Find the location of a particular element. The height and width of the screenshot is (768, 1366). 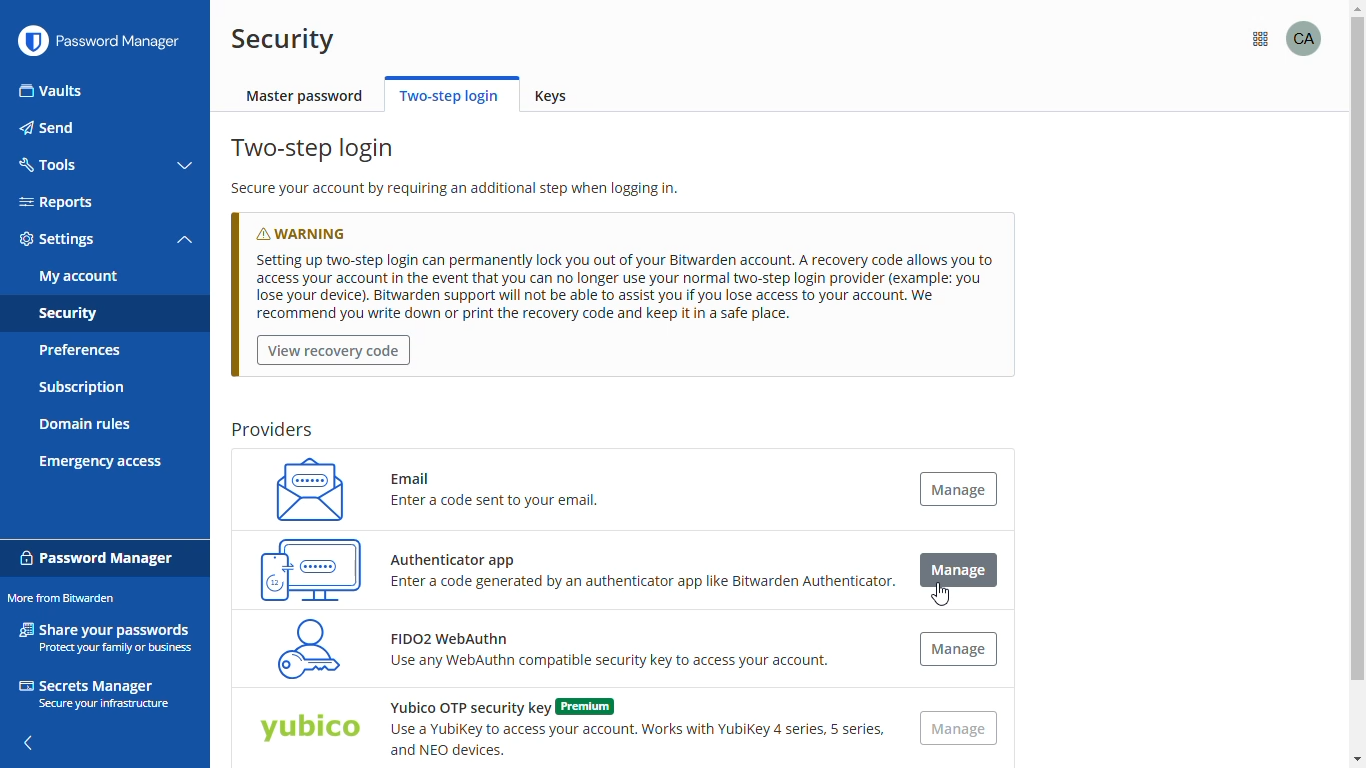

manage is located at coordinates (960, 729).